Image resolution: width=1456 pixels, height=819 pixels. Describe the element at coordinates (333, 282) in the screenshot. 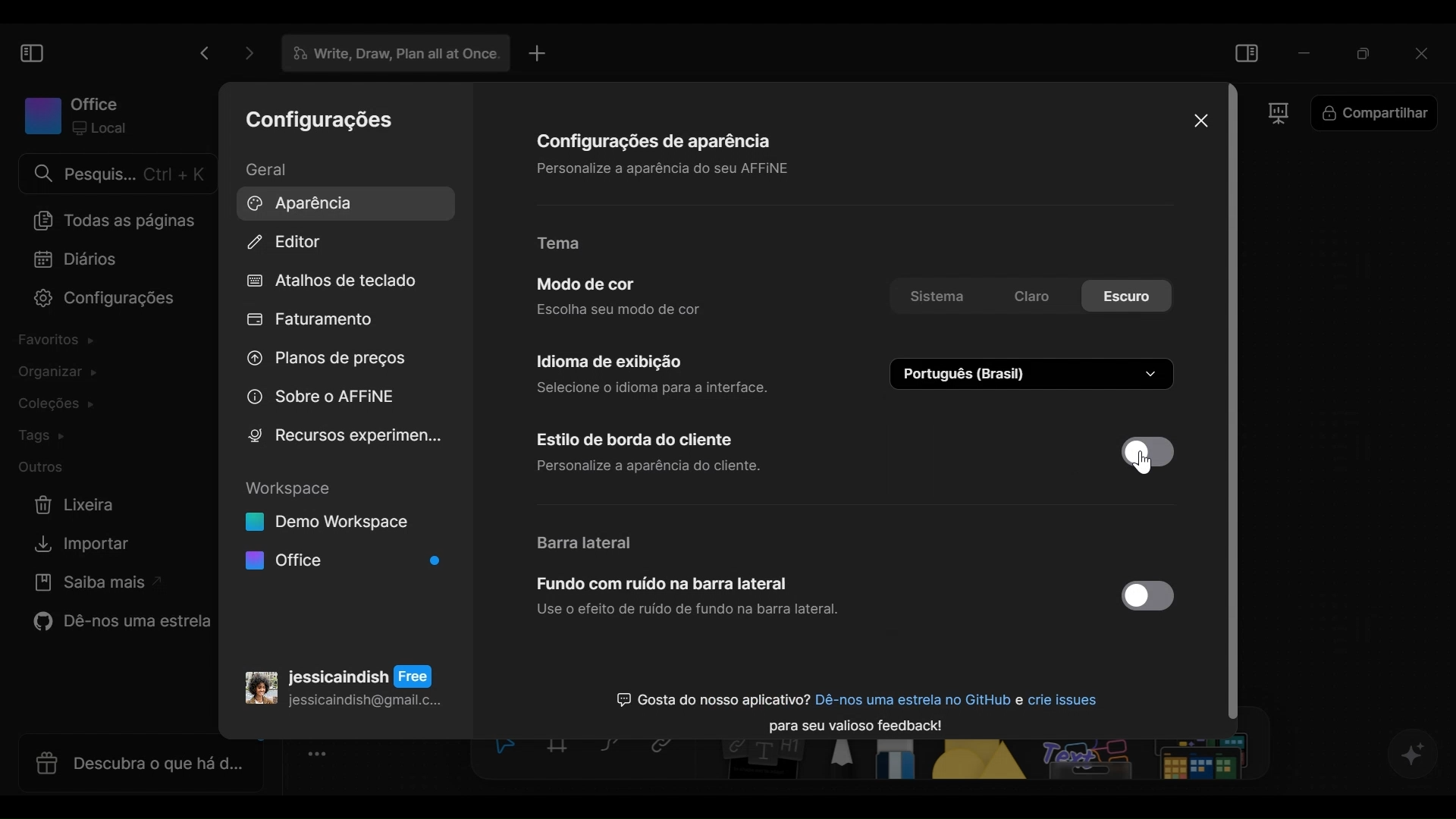

I see `Keyboard shortcuts` at that location.